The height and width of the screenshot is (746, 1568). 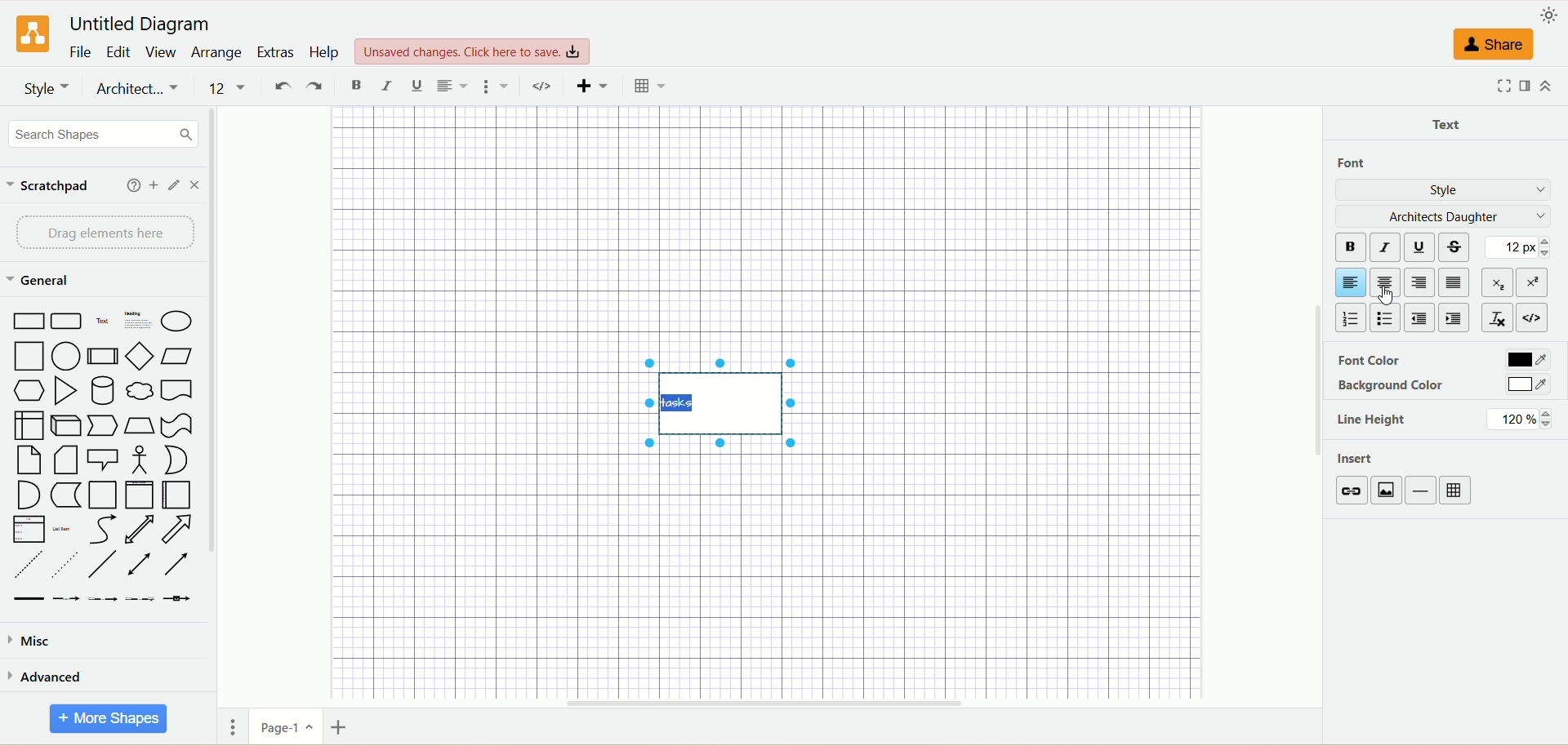 What do you see at coordinates (650, 87) in the screenshot?
I see `Grid Display` at bounding box center [650, 87].